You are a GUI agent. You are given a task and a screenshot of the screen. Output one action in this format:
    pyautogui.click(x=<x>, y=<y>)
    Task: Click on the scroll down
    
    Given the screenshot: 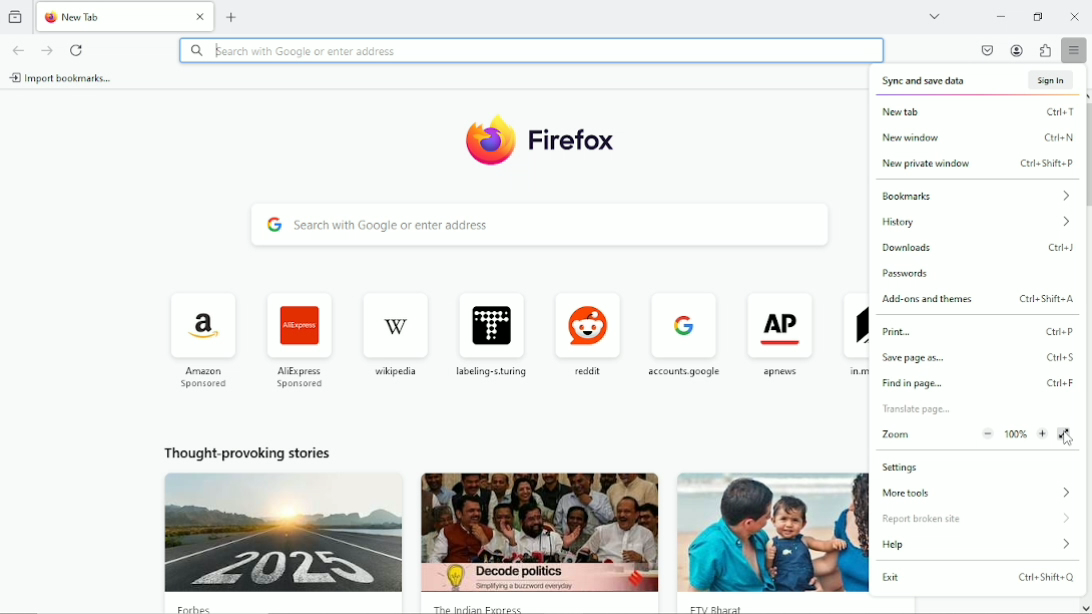 What is the action you would take?
    pyautogui.click(x=1084, y=606)
    